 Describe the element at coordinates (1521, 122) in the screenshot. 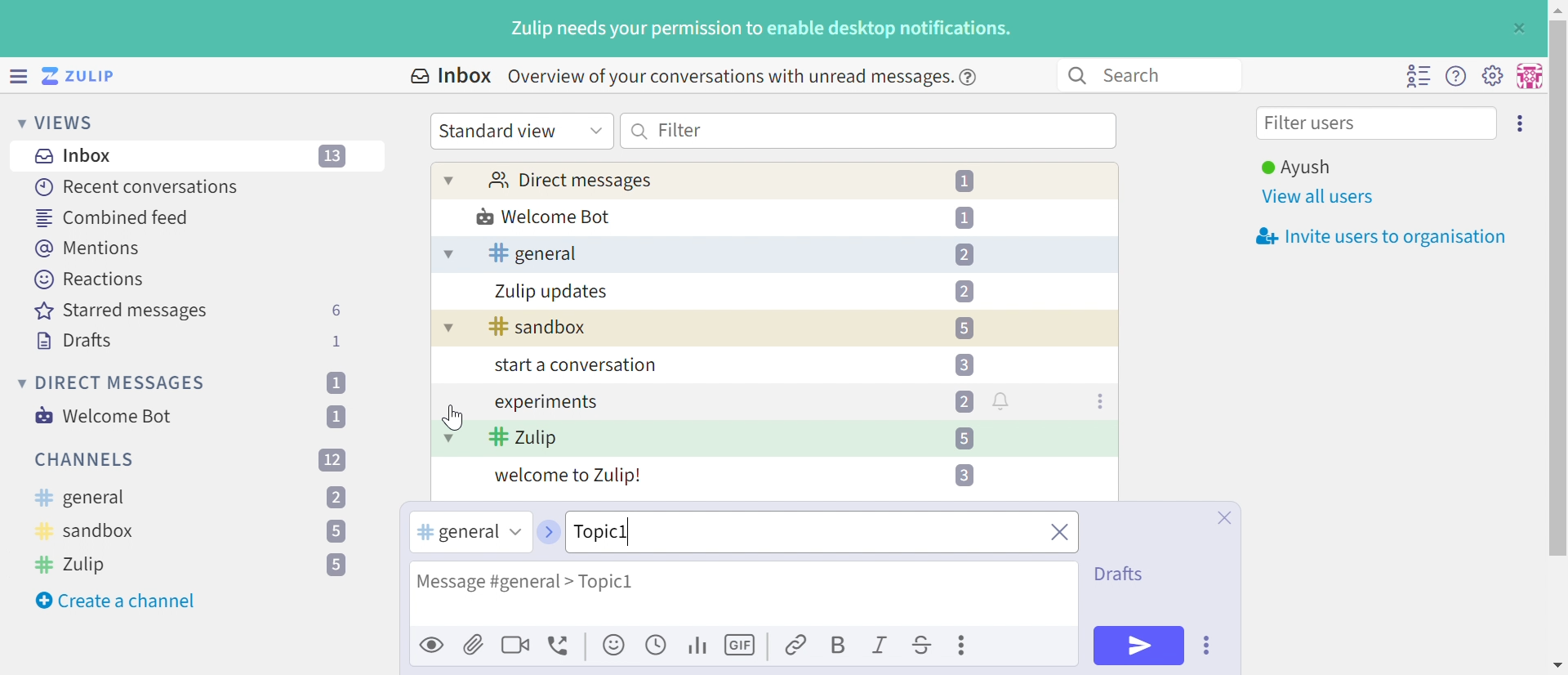

I see `Invite users to organisation` at that location.